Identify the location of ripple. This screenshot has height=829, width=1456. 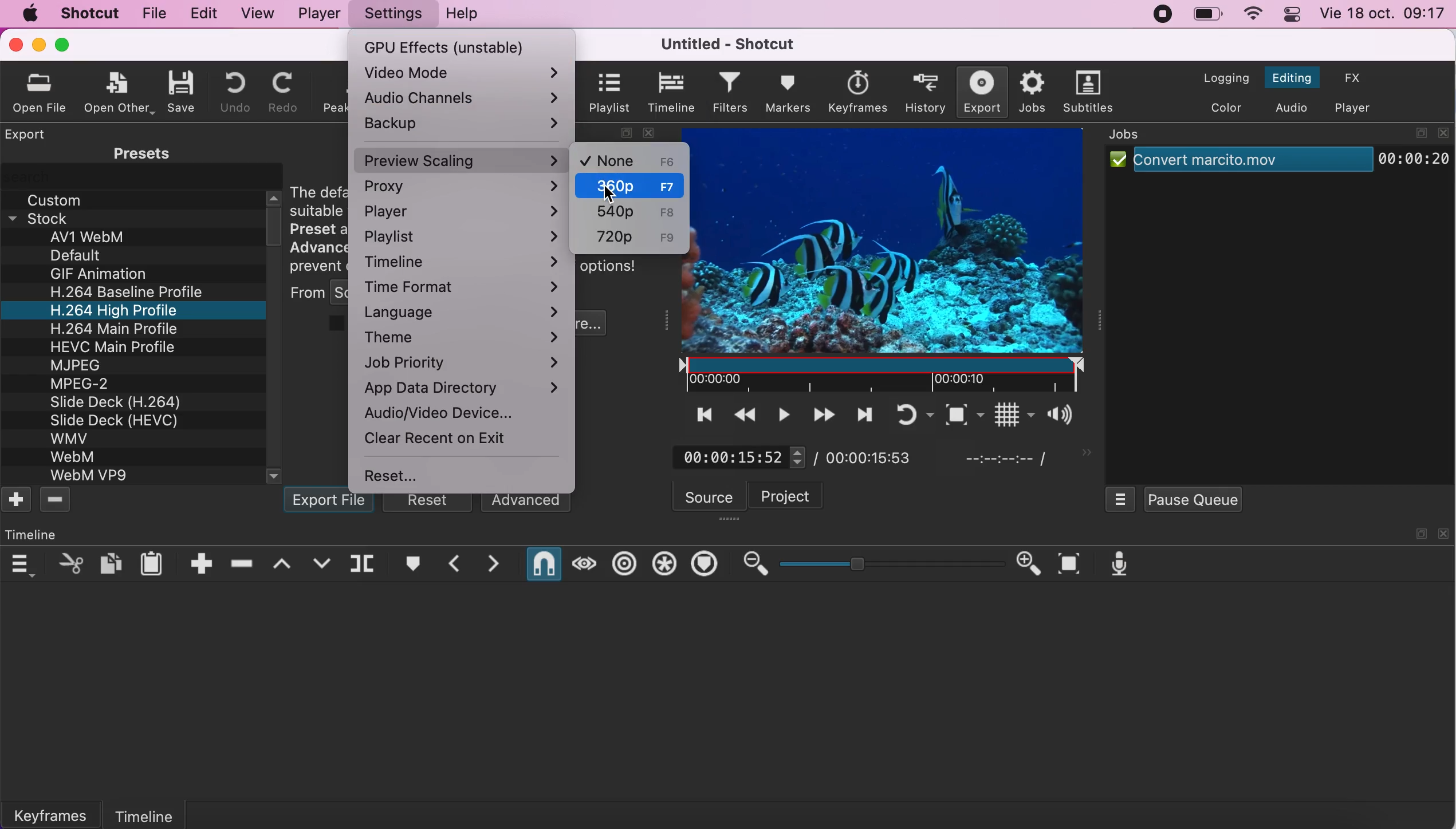
(625, 564).